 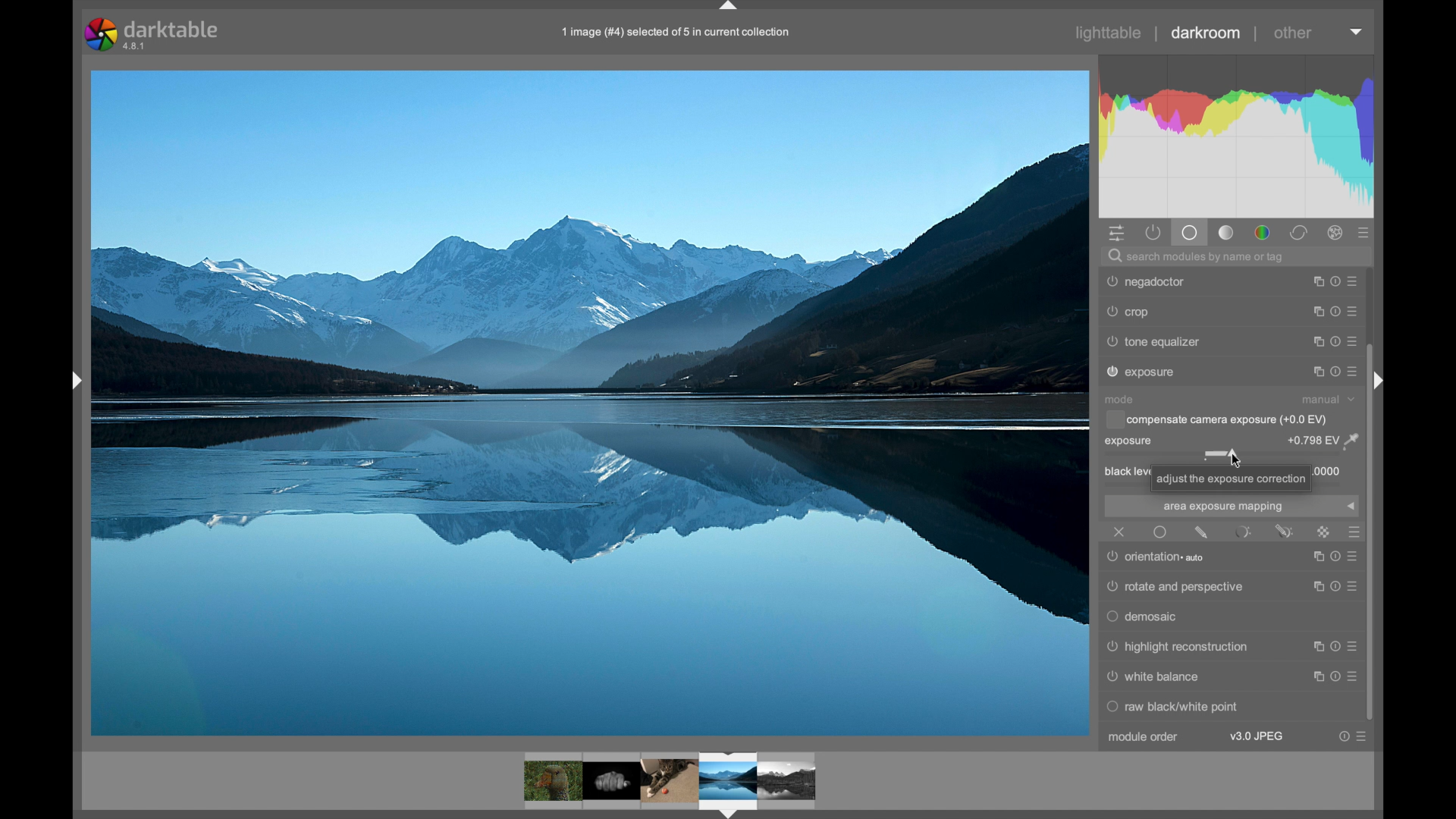 I want to click on close, so click(x=1121, y=532).